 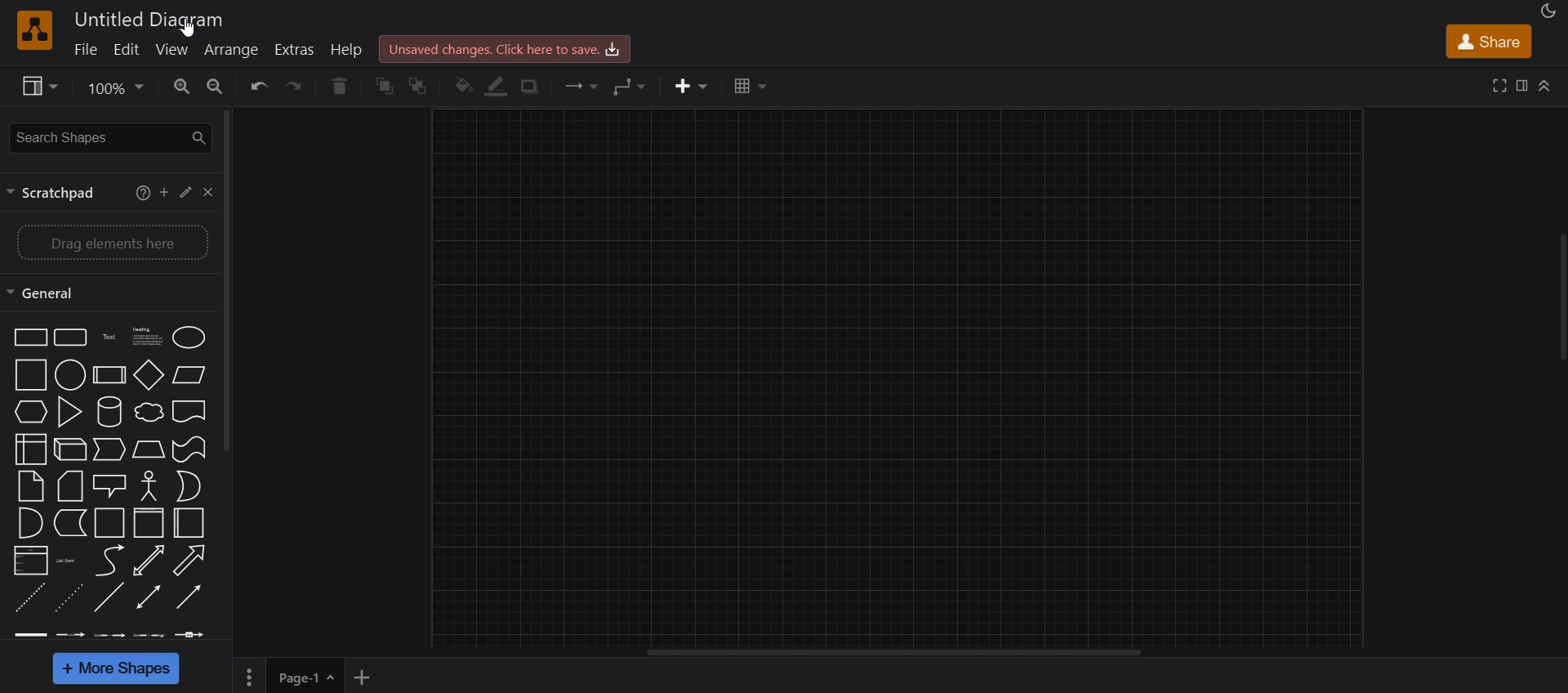 What do you see at coordinates (86, 51) in the screenshot?
I see `file` at bounding box center [86, 51].